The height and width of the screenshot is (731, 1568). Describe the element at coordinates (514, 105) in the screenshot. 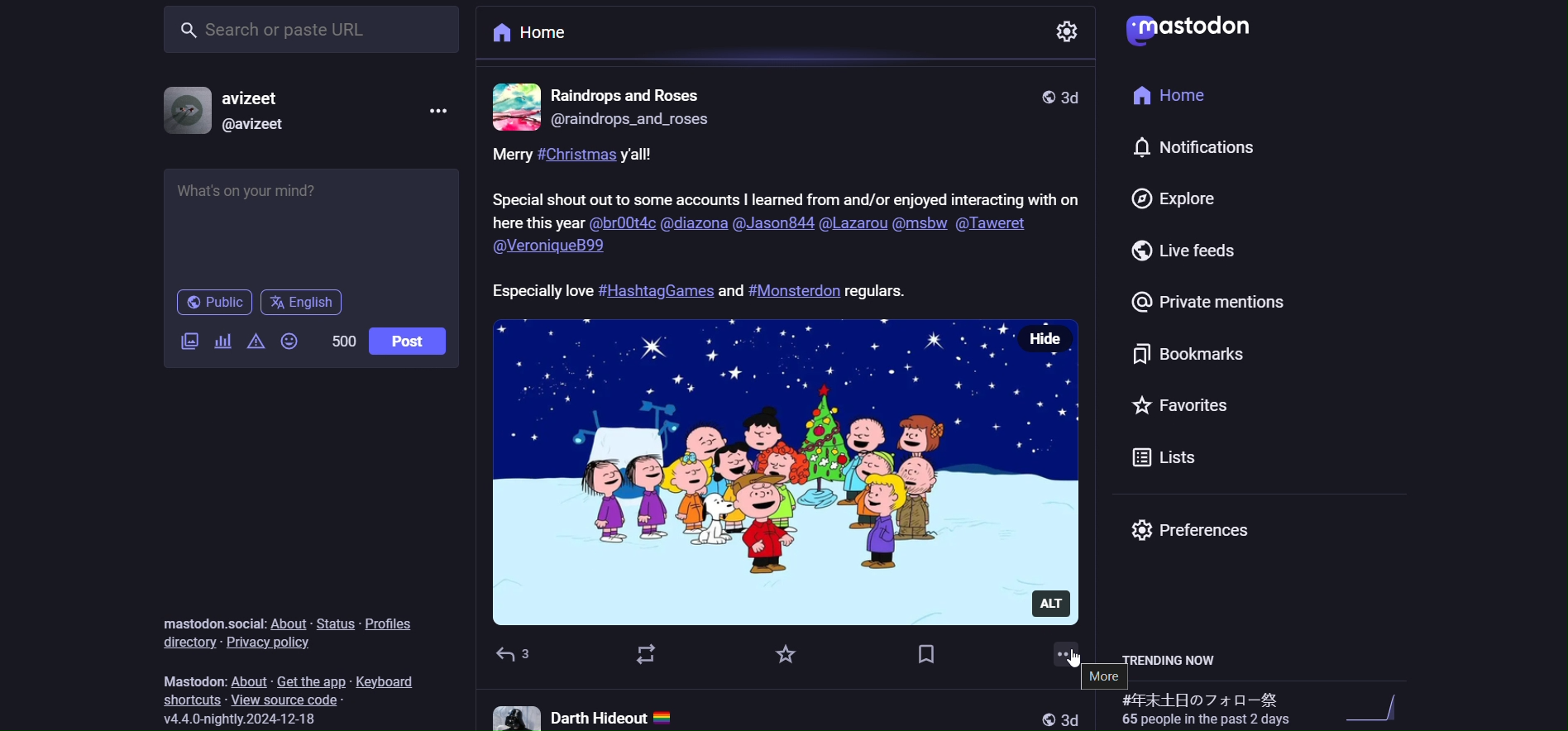

I see `profile picture` at that location.